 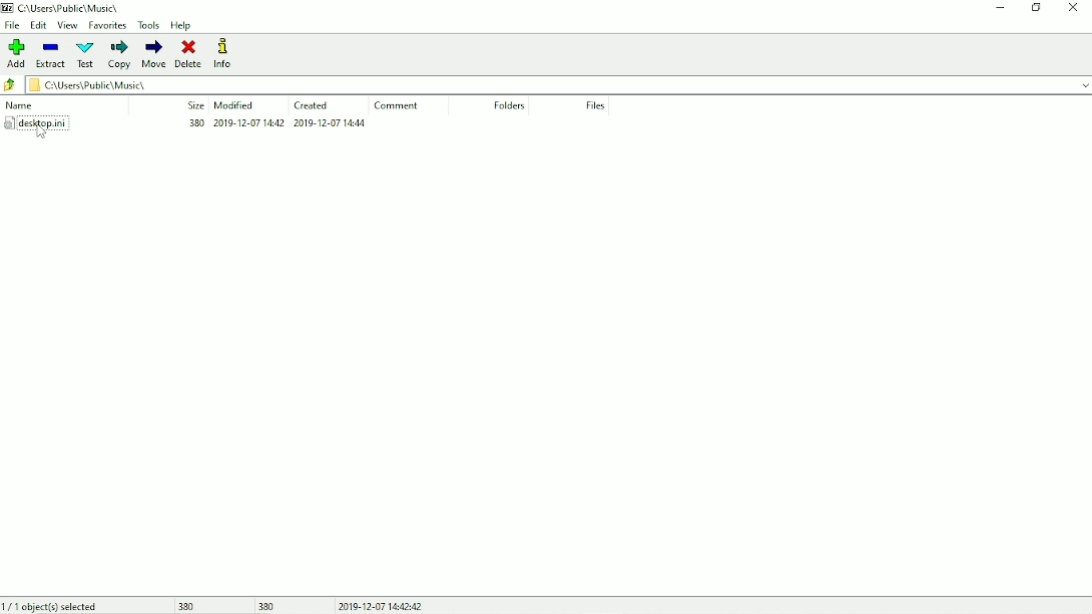 What do you see at coordinates (1001, 8) in the screenshot?
I see `Minimize` at bounding box center [1001, 8].